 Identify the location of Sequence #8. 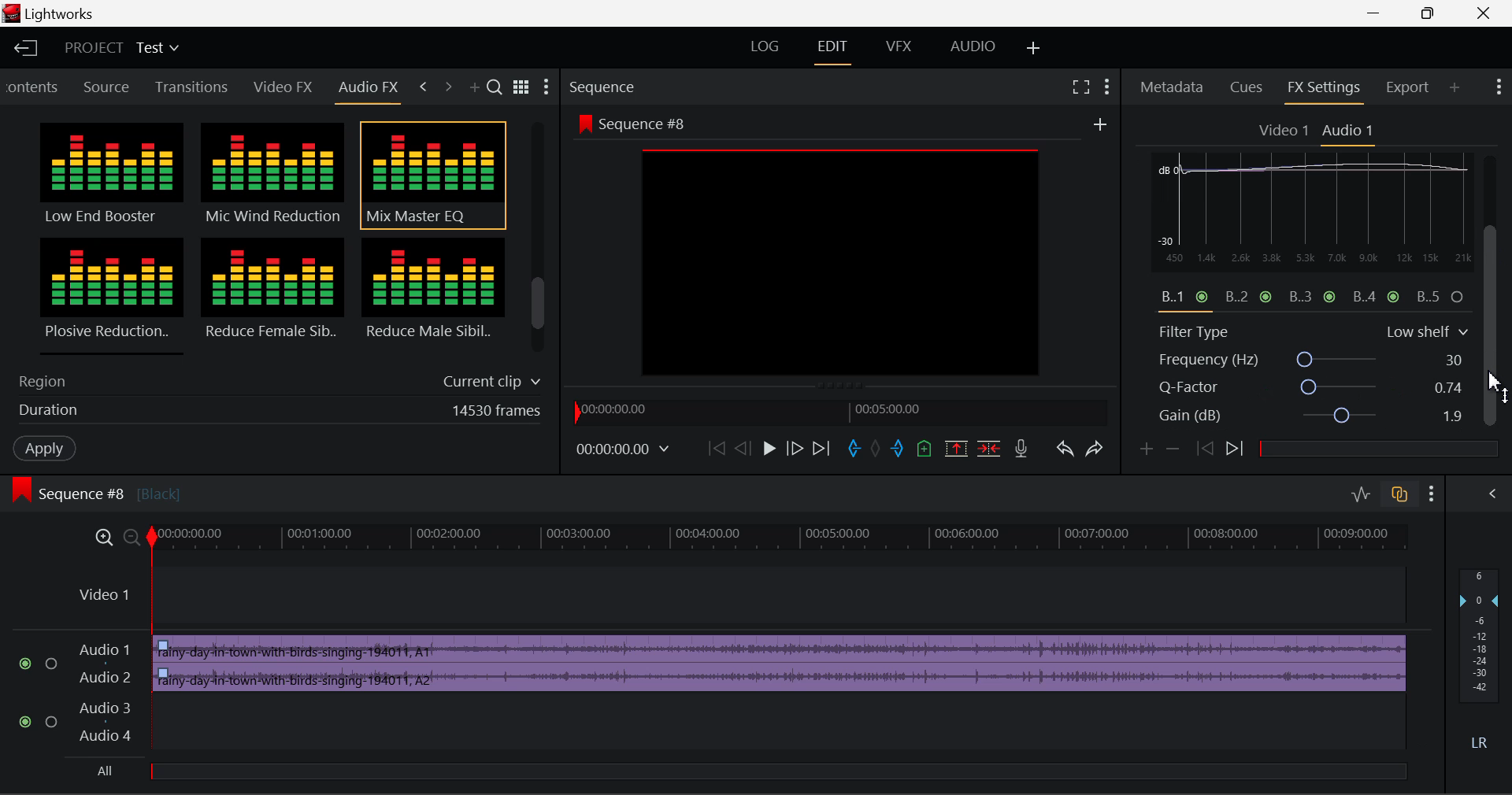
(122, 486).